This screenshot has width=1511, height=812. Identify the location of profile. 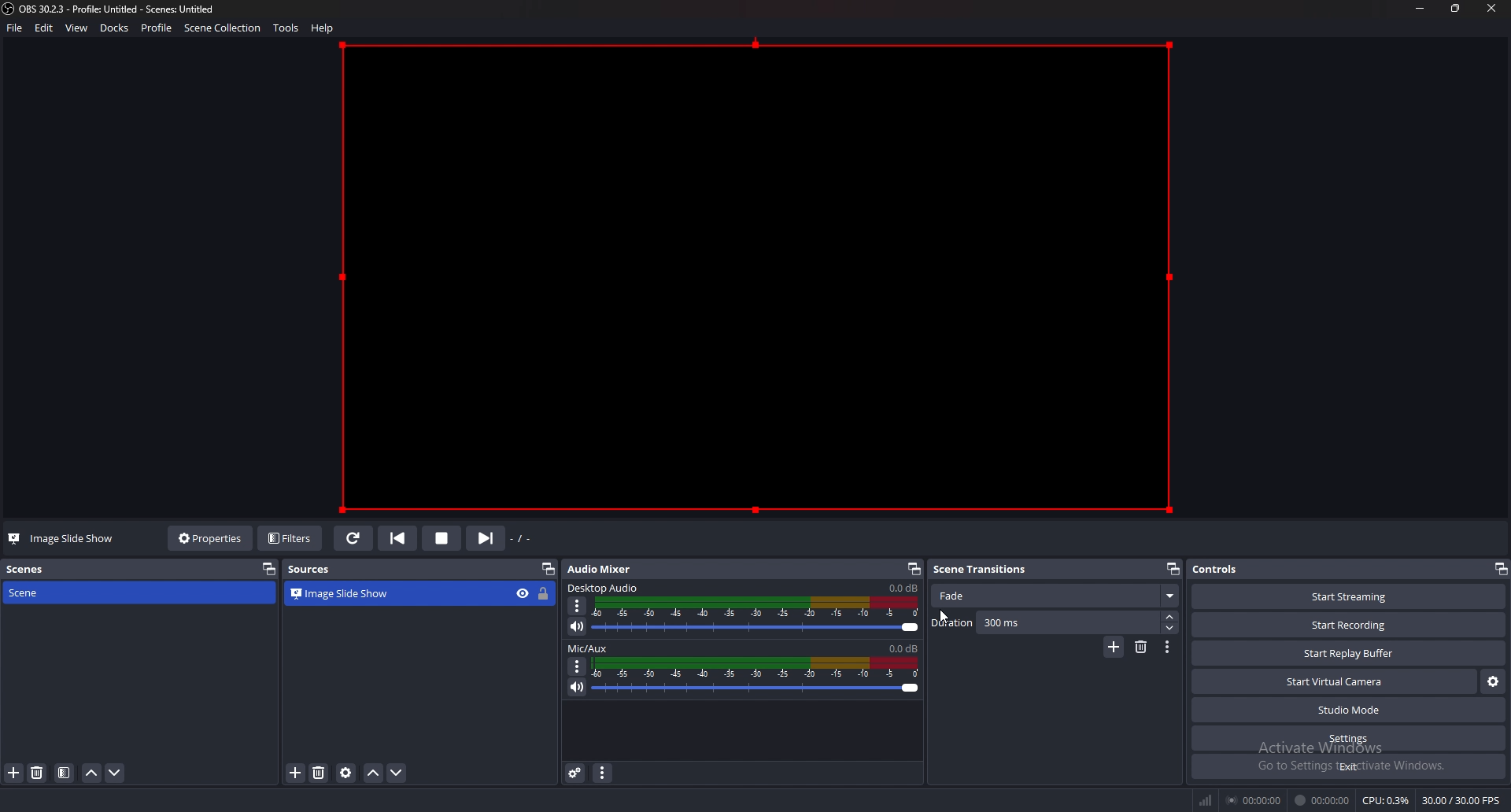
(156, 26).